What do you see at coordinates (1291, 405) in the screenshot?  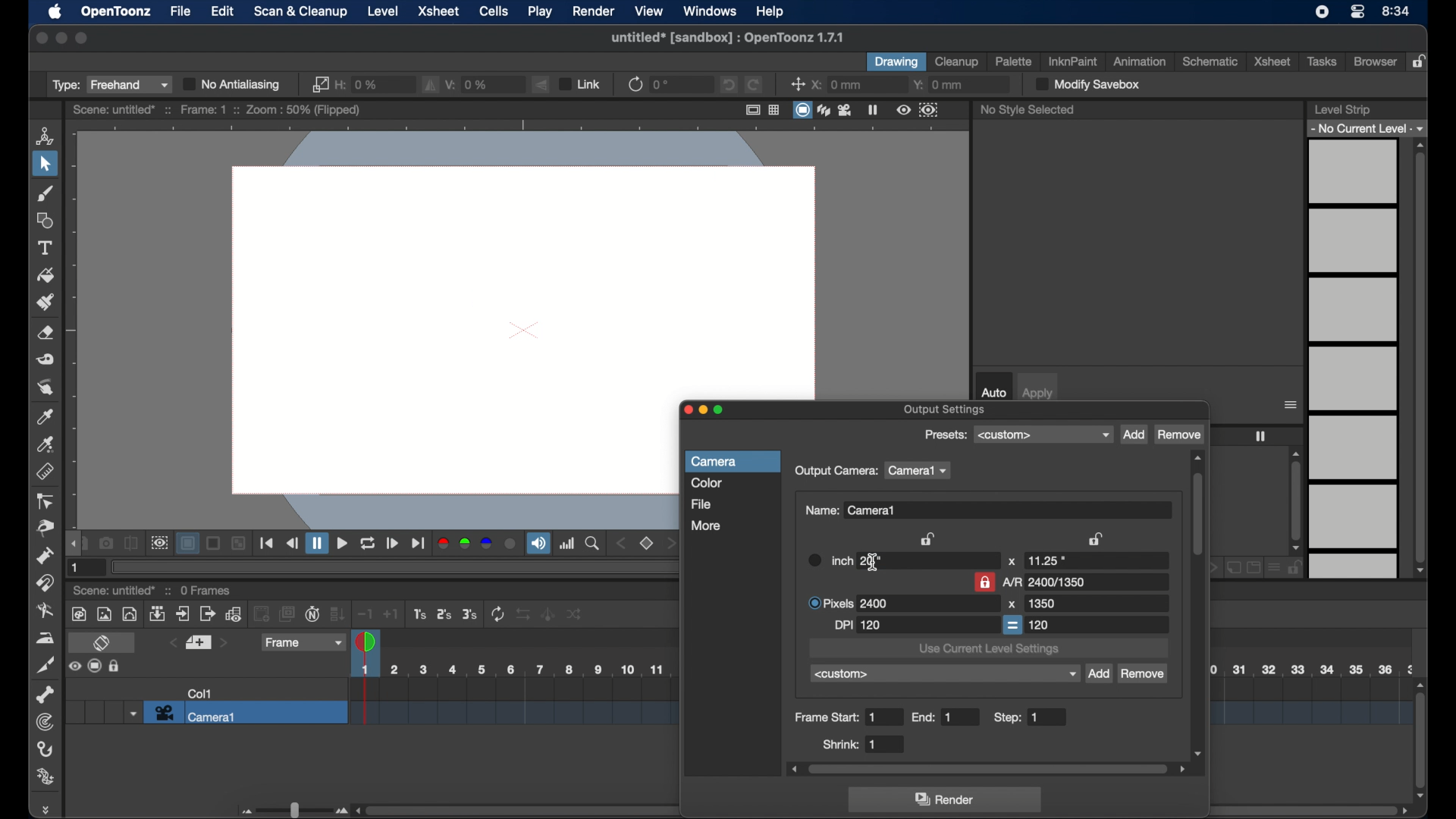 I see `more options` at bounding box center [1291, 405].